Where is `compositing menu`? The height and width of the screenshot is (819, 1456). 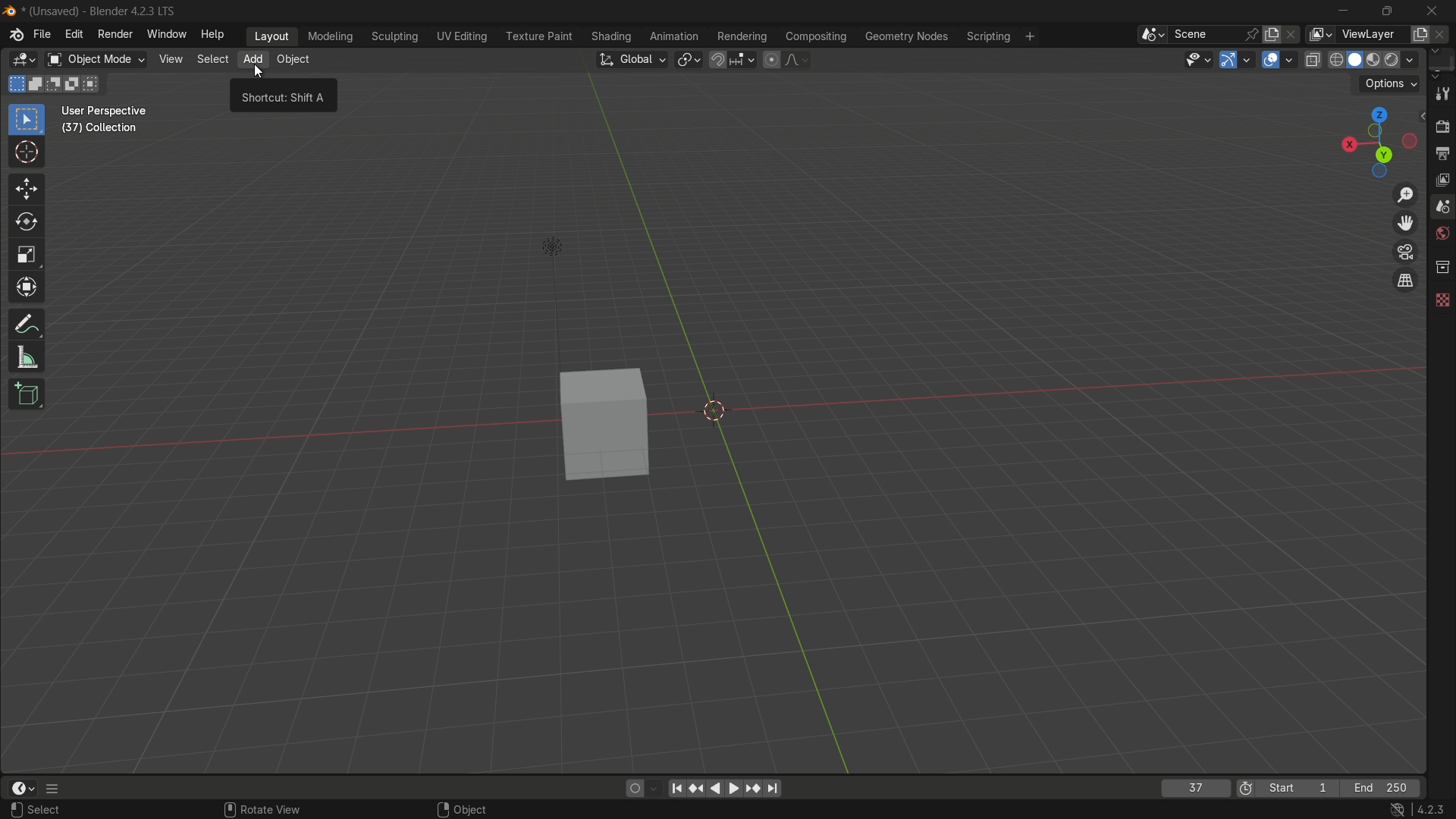
compositing menu is located at coordinates (814, 36).